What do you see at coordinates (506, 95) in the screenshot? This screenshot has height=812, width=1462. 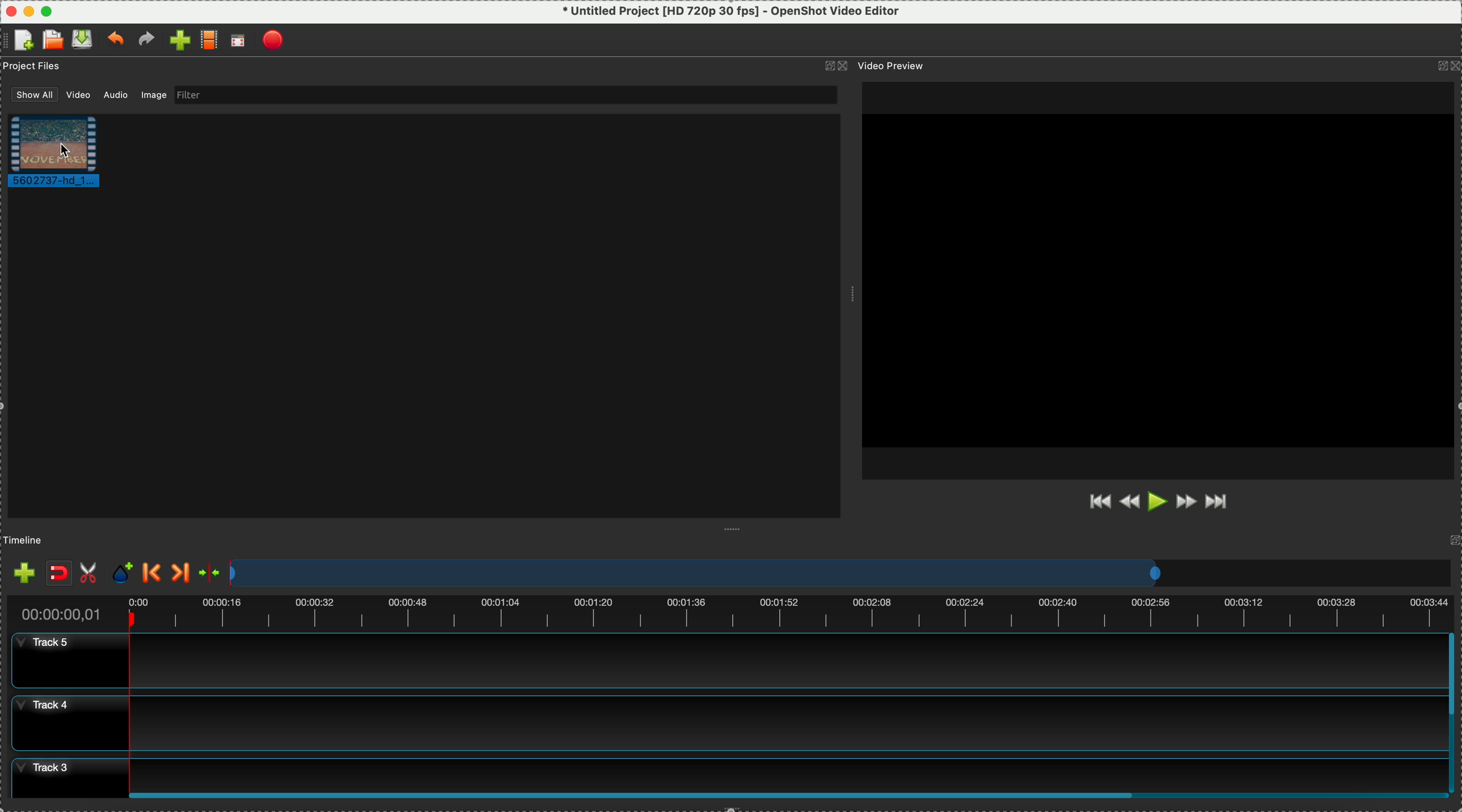 I see `filter` at bounding box center [506, 95].